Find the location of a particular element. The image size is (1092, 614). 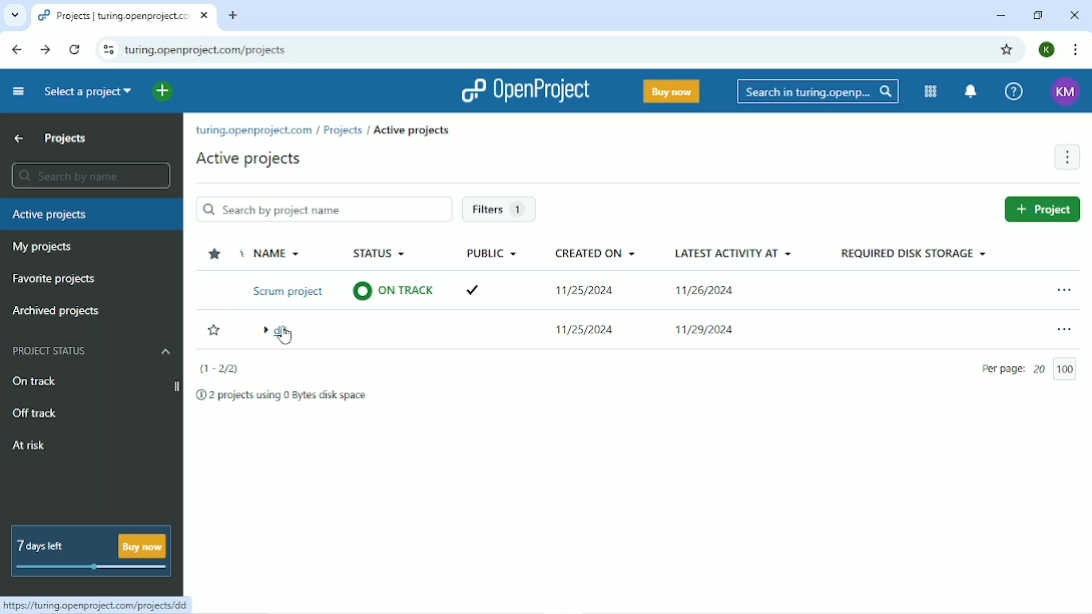

Forward is located at coordinates (45, 50).